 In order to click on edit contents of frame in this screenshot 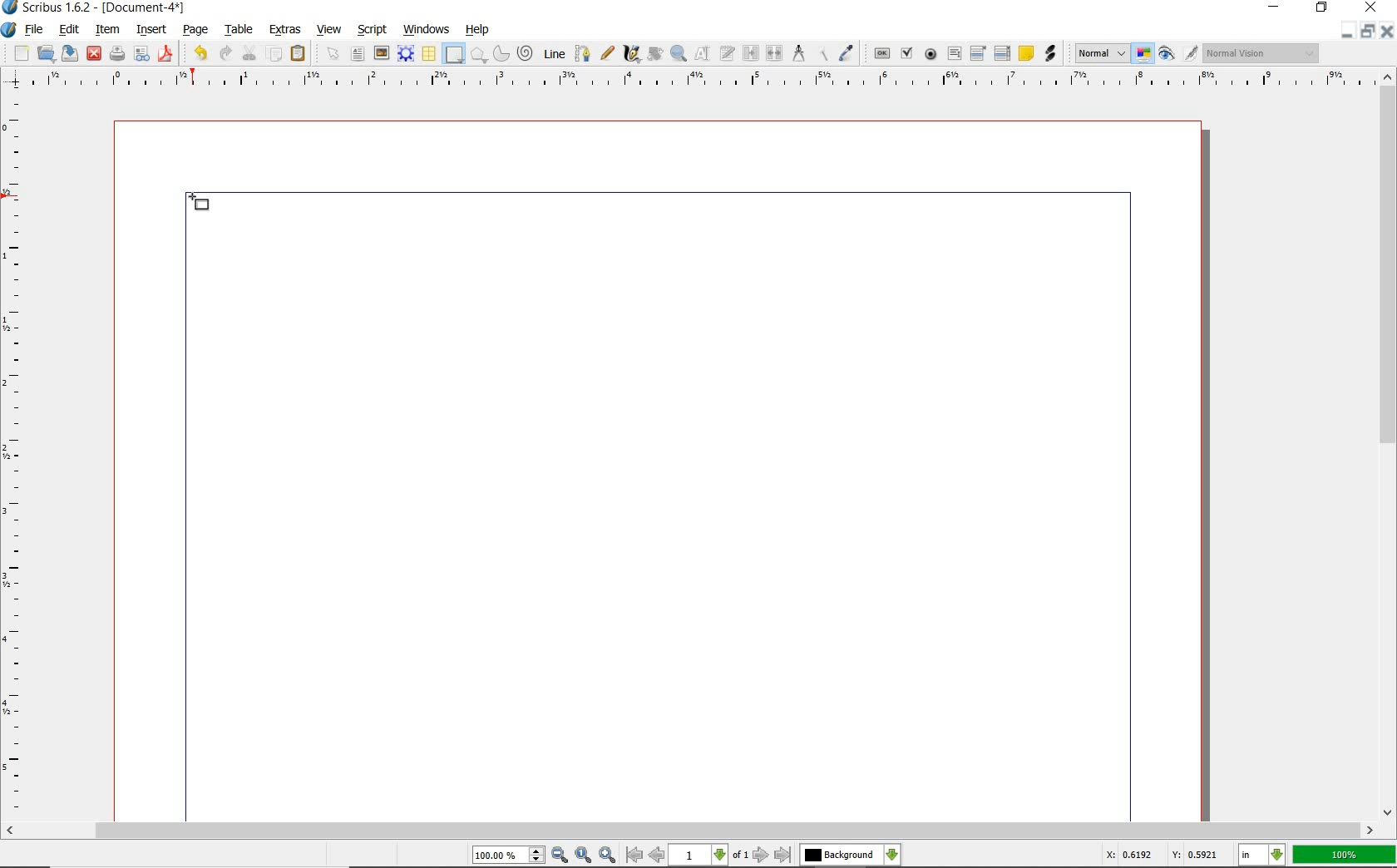, I will do `click(701, 53)`.